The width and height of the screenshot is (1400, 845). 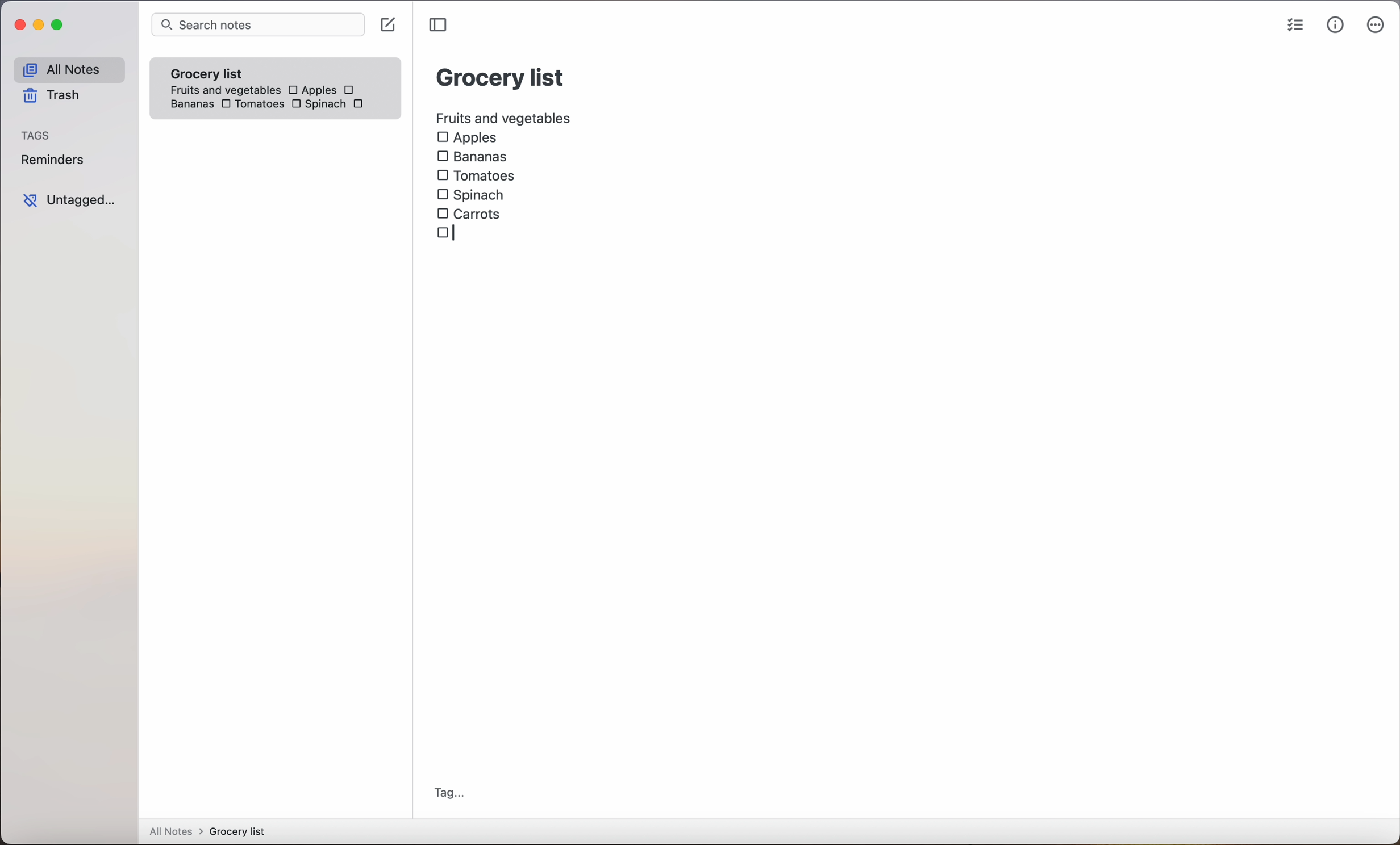 I want to click on grocery list note fruits and vegetables, so click(x=221, y=77).